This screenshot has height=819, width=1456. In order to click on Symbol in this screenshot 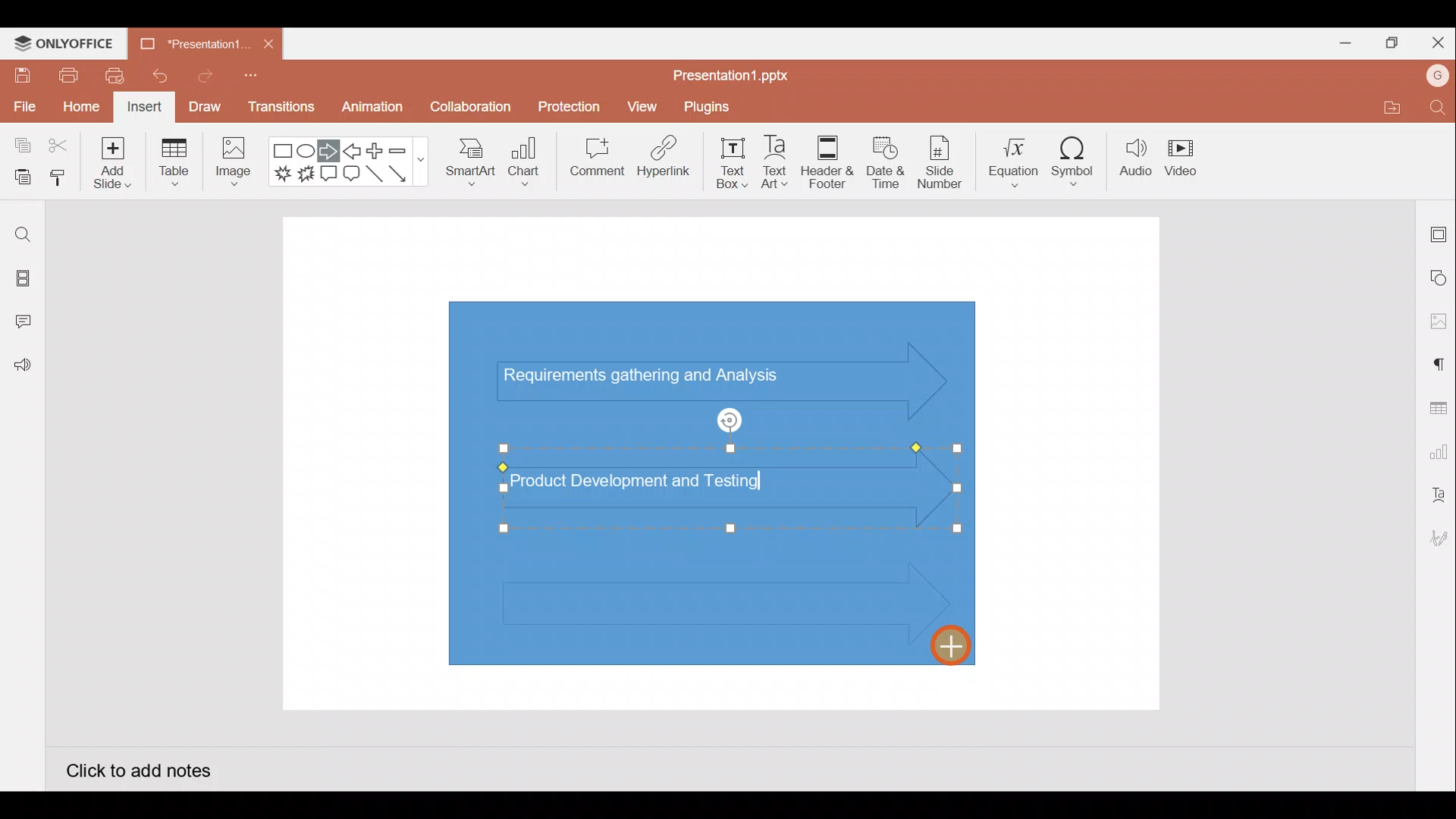, I will do `click(1074, 158)`.